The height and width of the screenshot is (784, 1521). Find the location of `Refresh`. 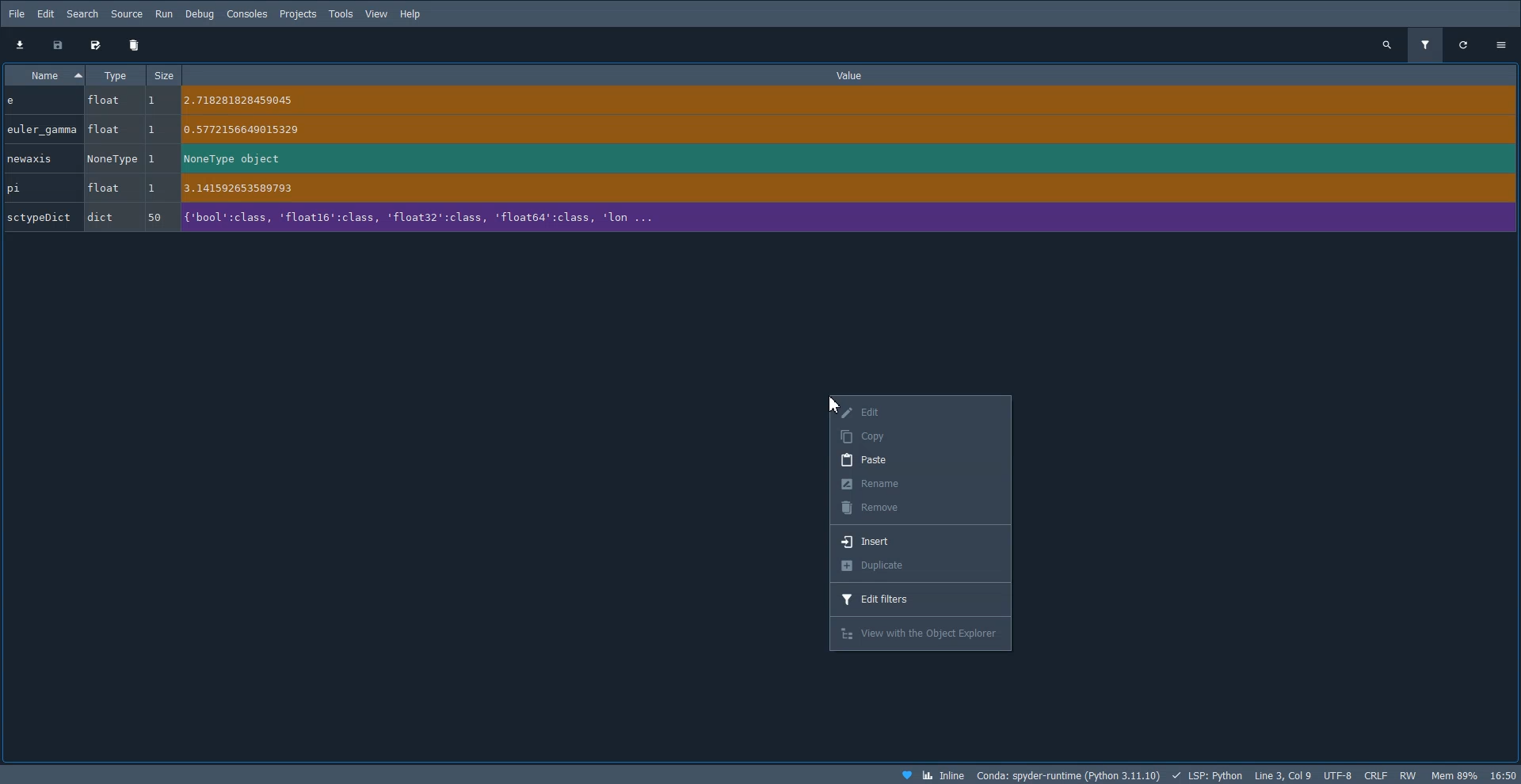

Refresh is located at coordinates (1467, 43).